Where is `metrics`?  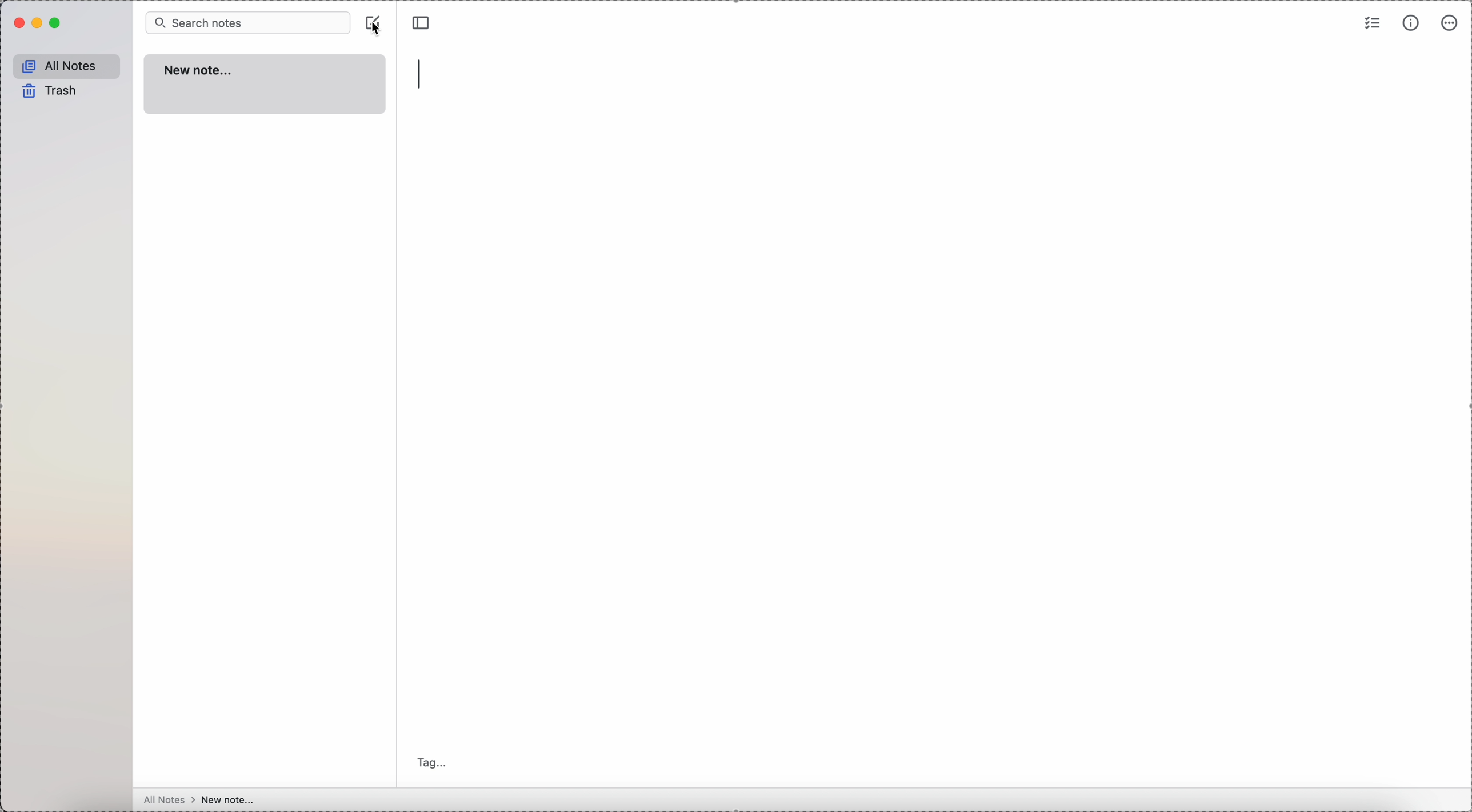 metrics is located at coordinates (1413, 22).